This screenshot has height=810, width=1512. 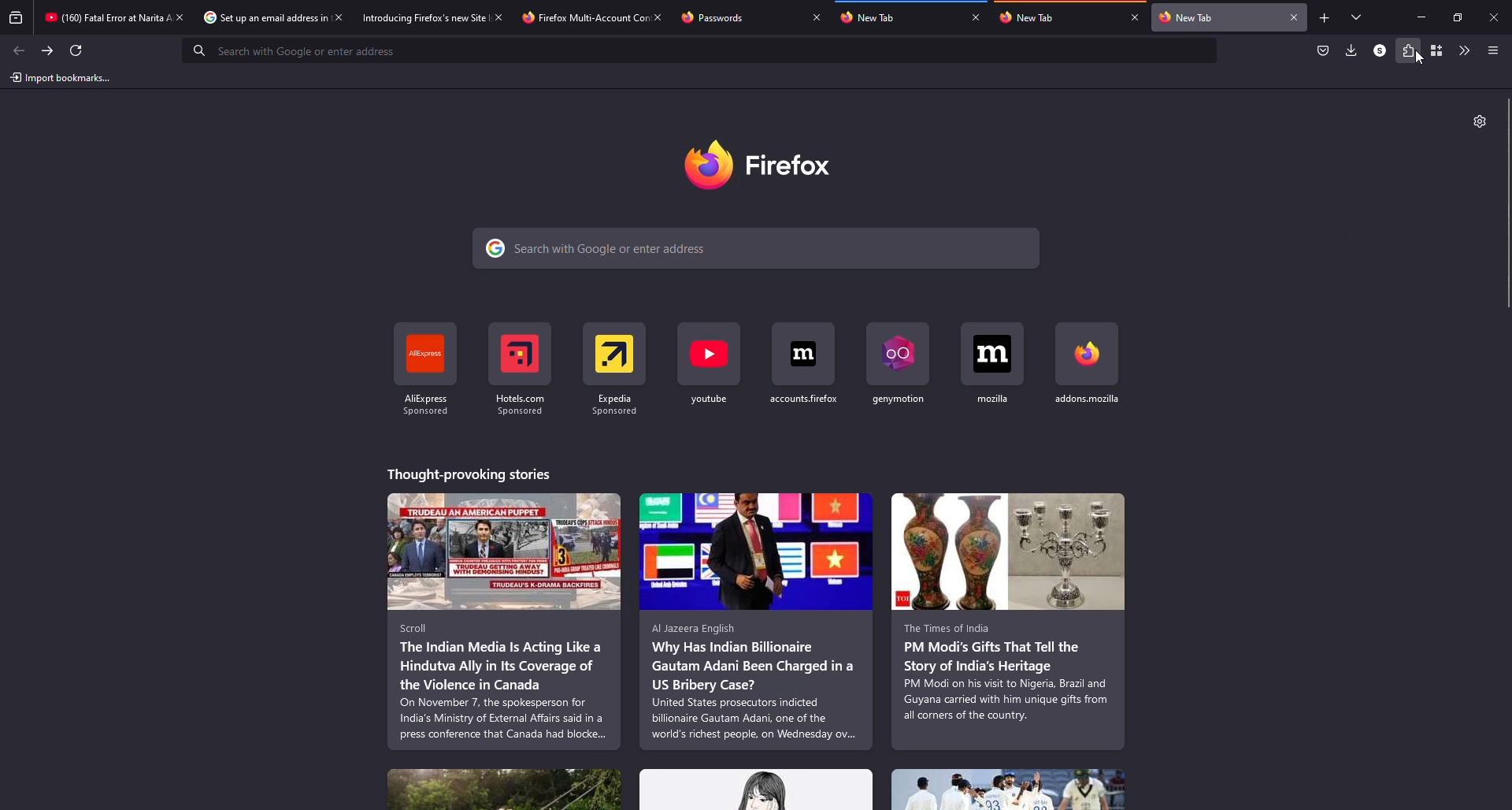 I want to click on stories, so click(x=758, y=790).